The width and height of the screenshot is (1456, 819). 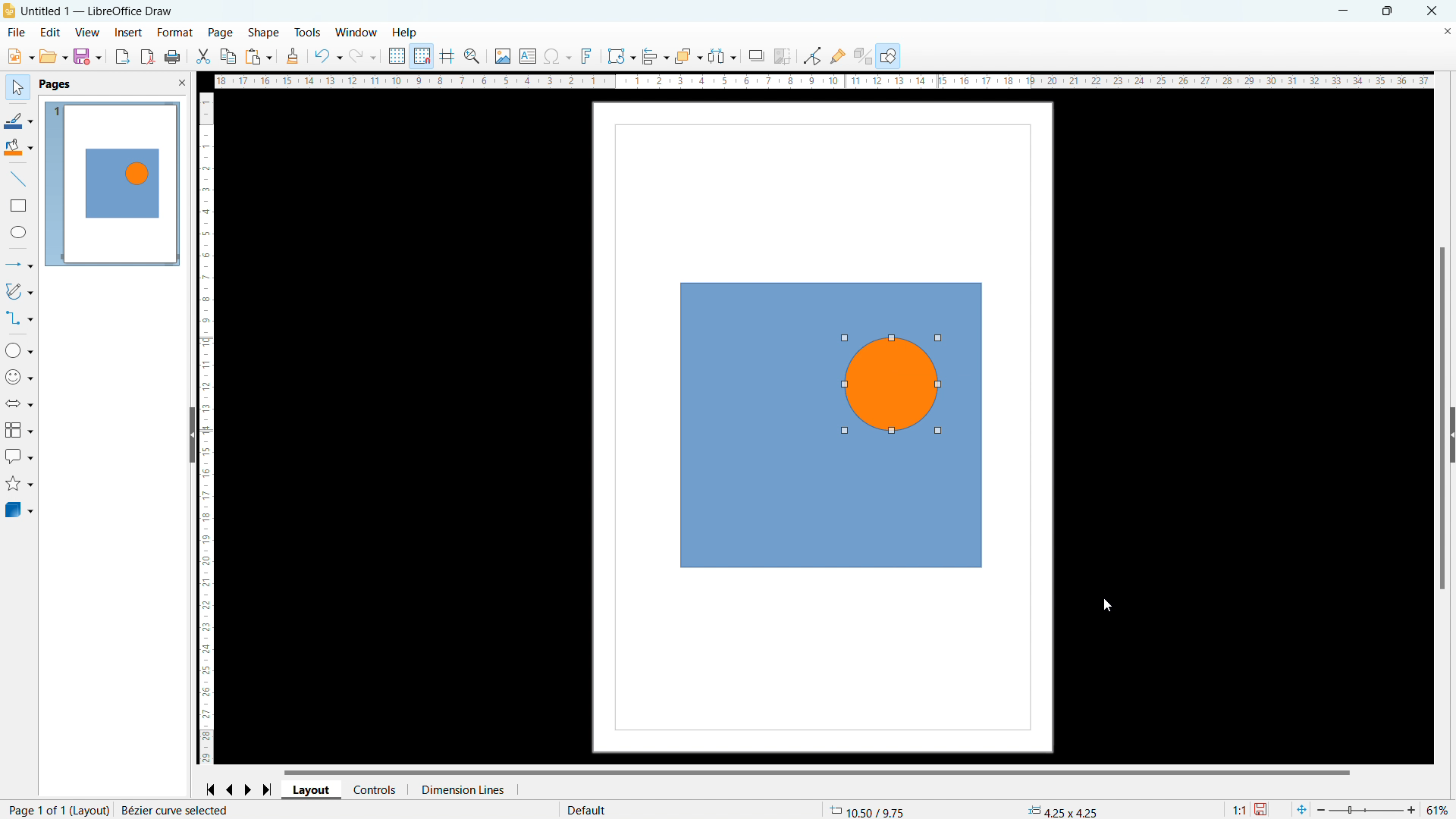 I want to click on crop image, so click(x=783, y=55).